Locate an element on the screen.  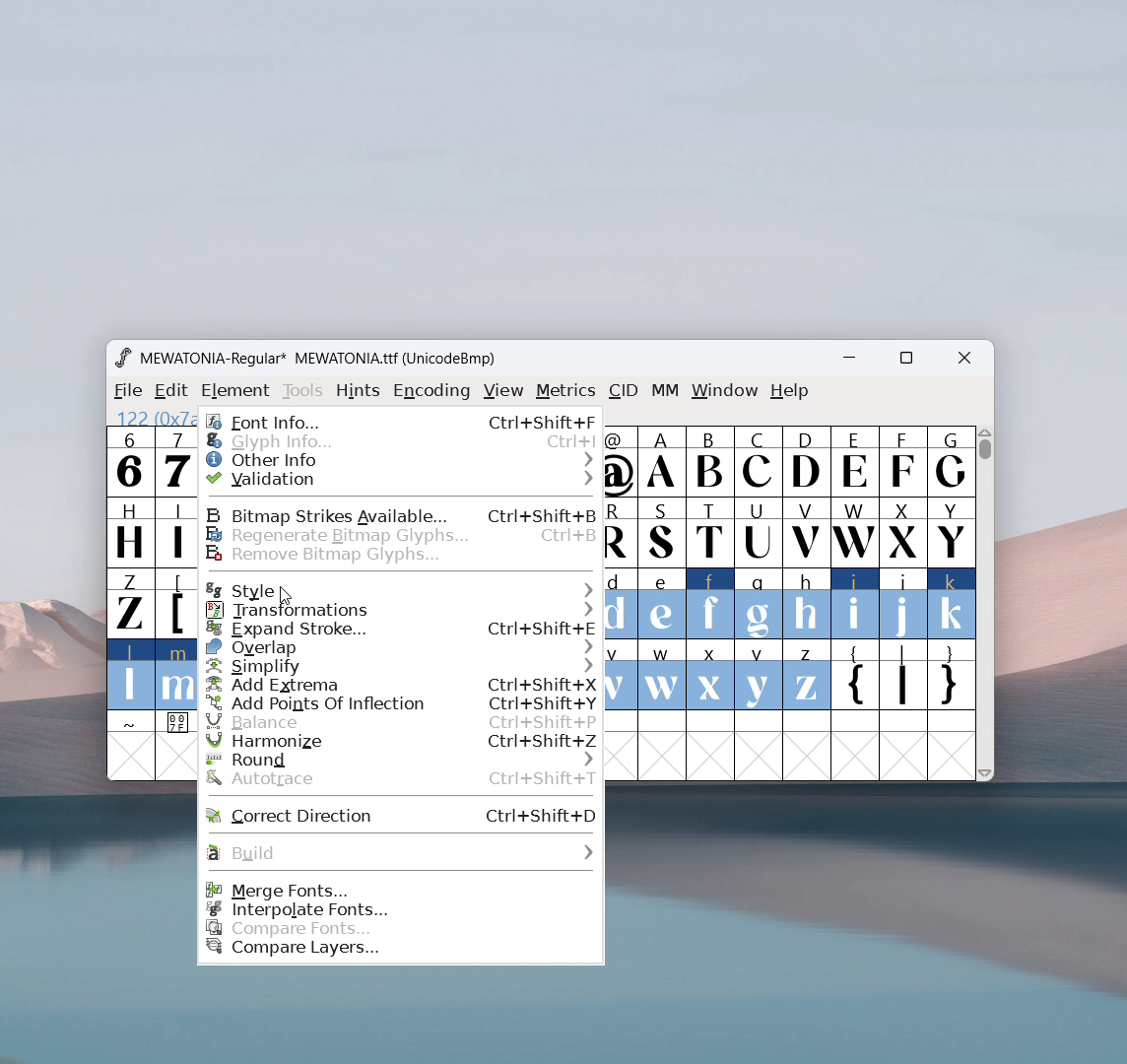
6 is located at coordinates (130, 461).